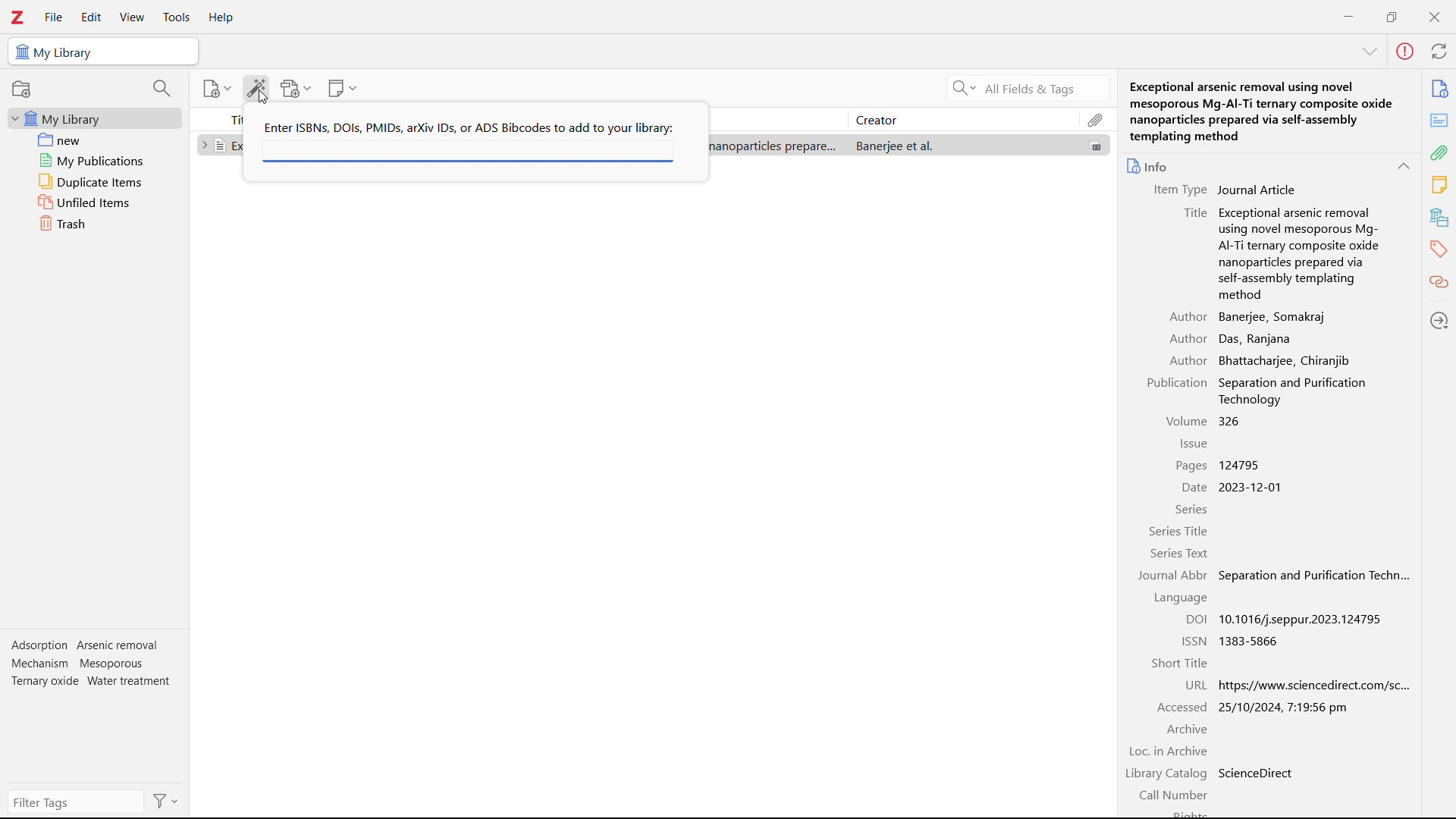 The image size is (1456, 819). Describe the element at coordinates (1433, 17) in the screenshot. I see `close` at that location.